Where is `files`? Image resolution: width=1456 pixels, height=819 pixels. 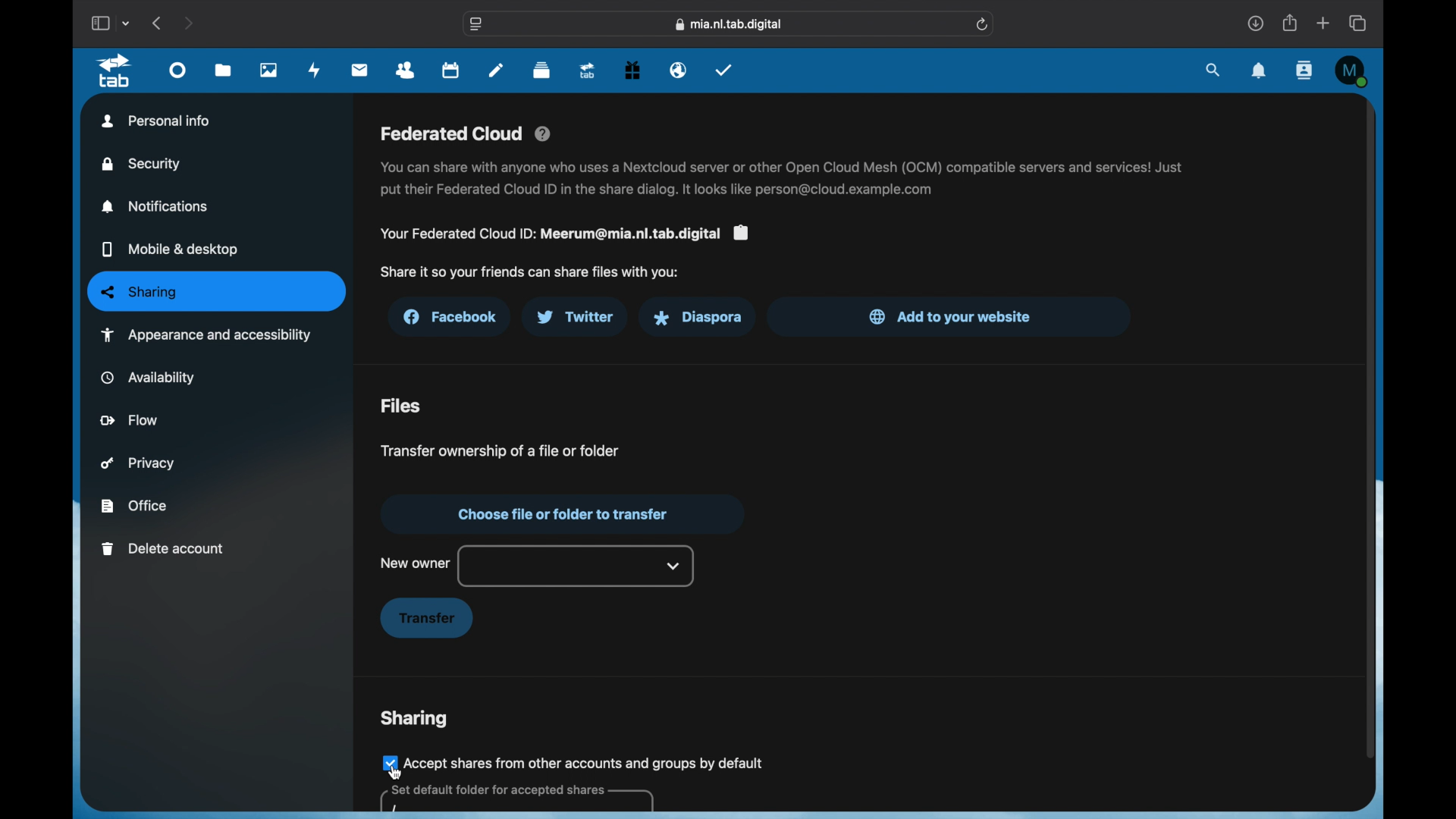
files is located at coordinates (223, 71).